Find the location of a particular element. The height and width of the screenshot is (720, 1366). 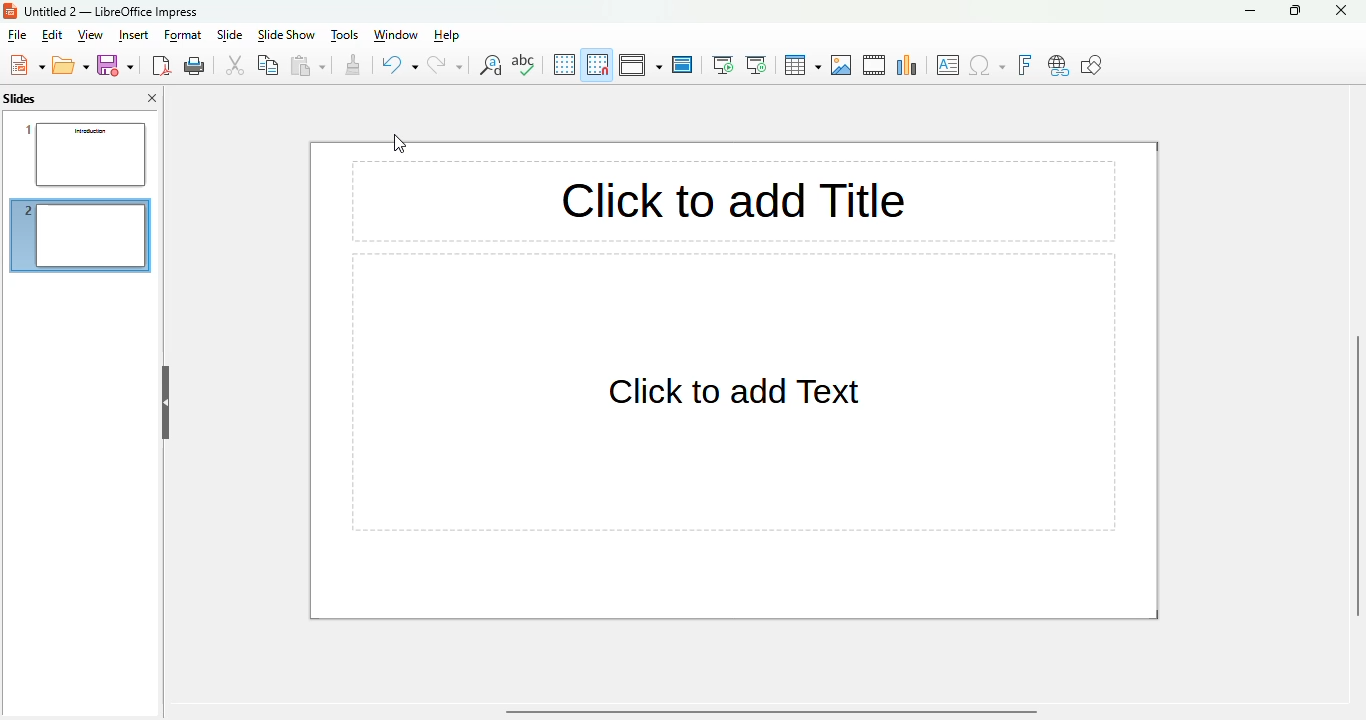

insert hyperlink is located at coordinates (1059, 66).